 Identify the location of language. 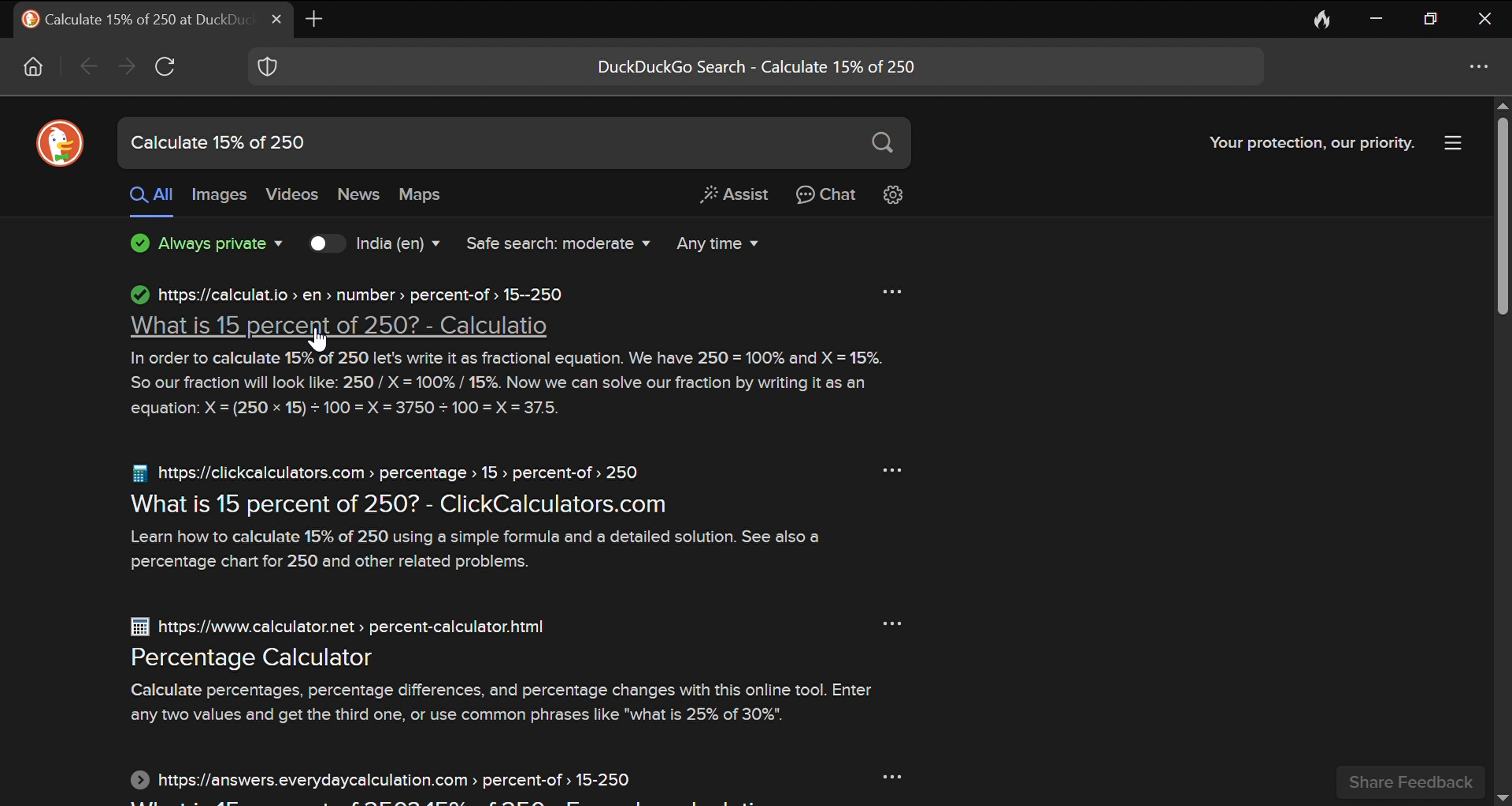
(400, 243).